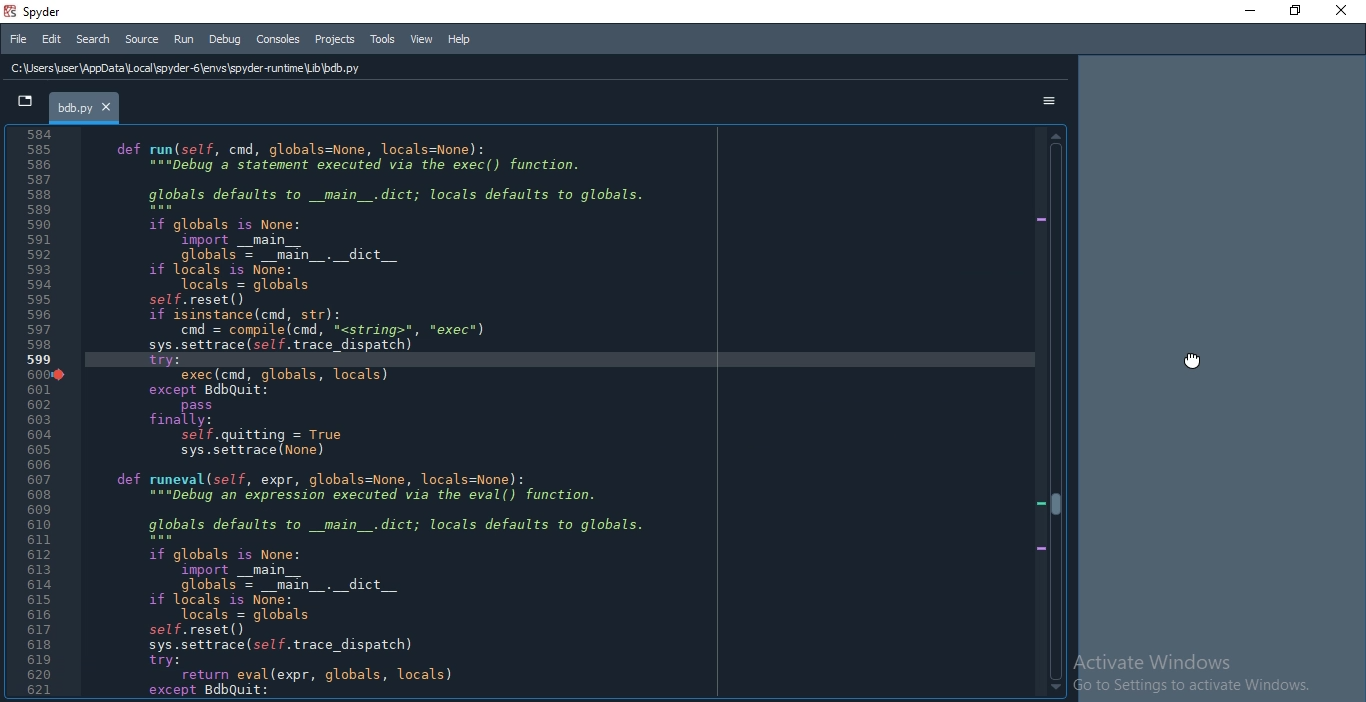 The width and height of the screenshot is (1366, 702). What do you see at coordinates (1295, 11) in the screenshot?
I see `Restore` at bounding box center [1295, 11].